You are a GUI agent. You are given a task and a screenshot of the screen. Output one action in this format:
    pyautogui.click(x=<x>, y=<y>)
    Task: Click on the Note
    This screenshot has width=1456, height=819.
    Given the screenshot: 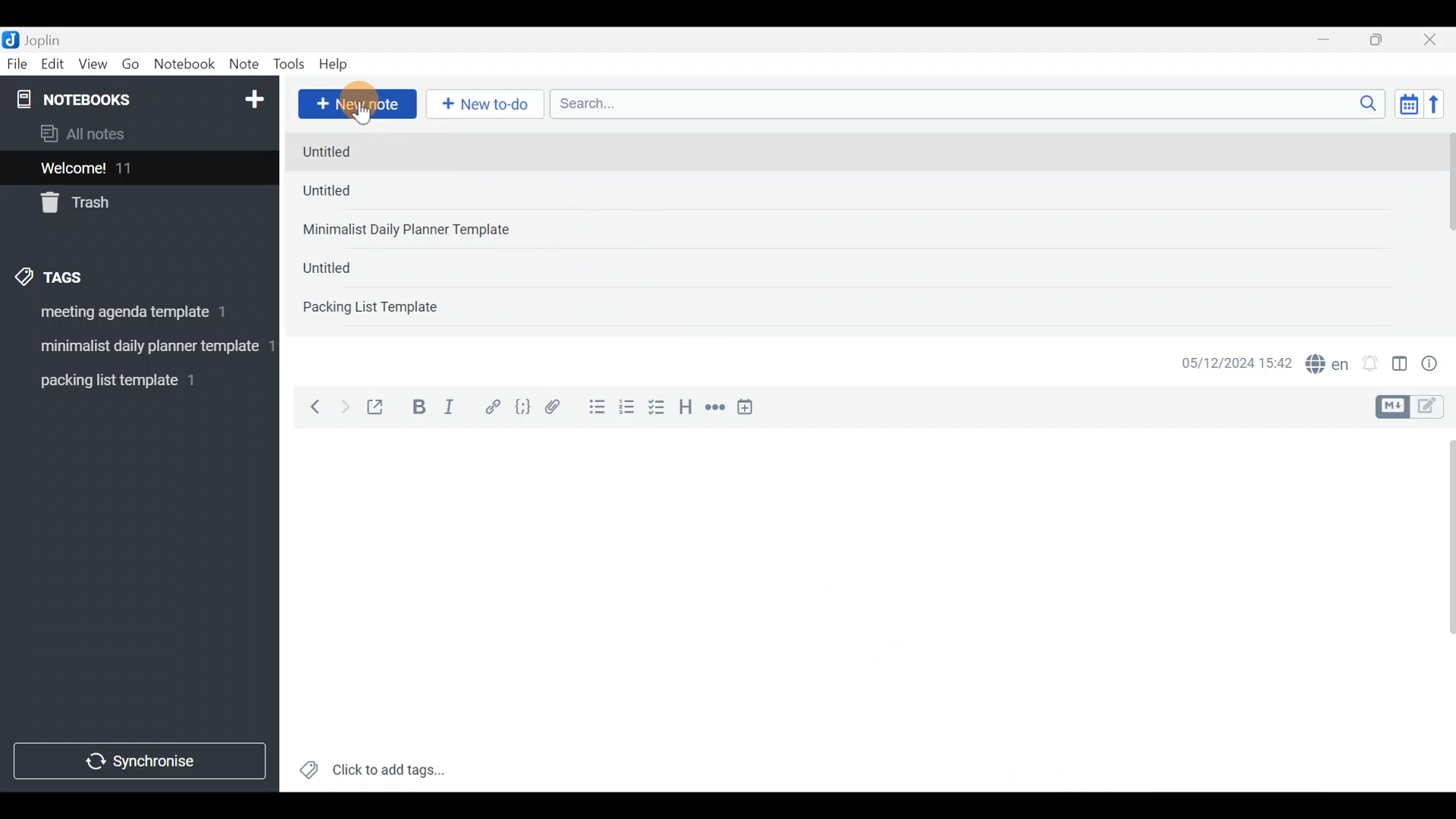 What is the action you would take?
    pyautogui.click(x=247, y=65)
    